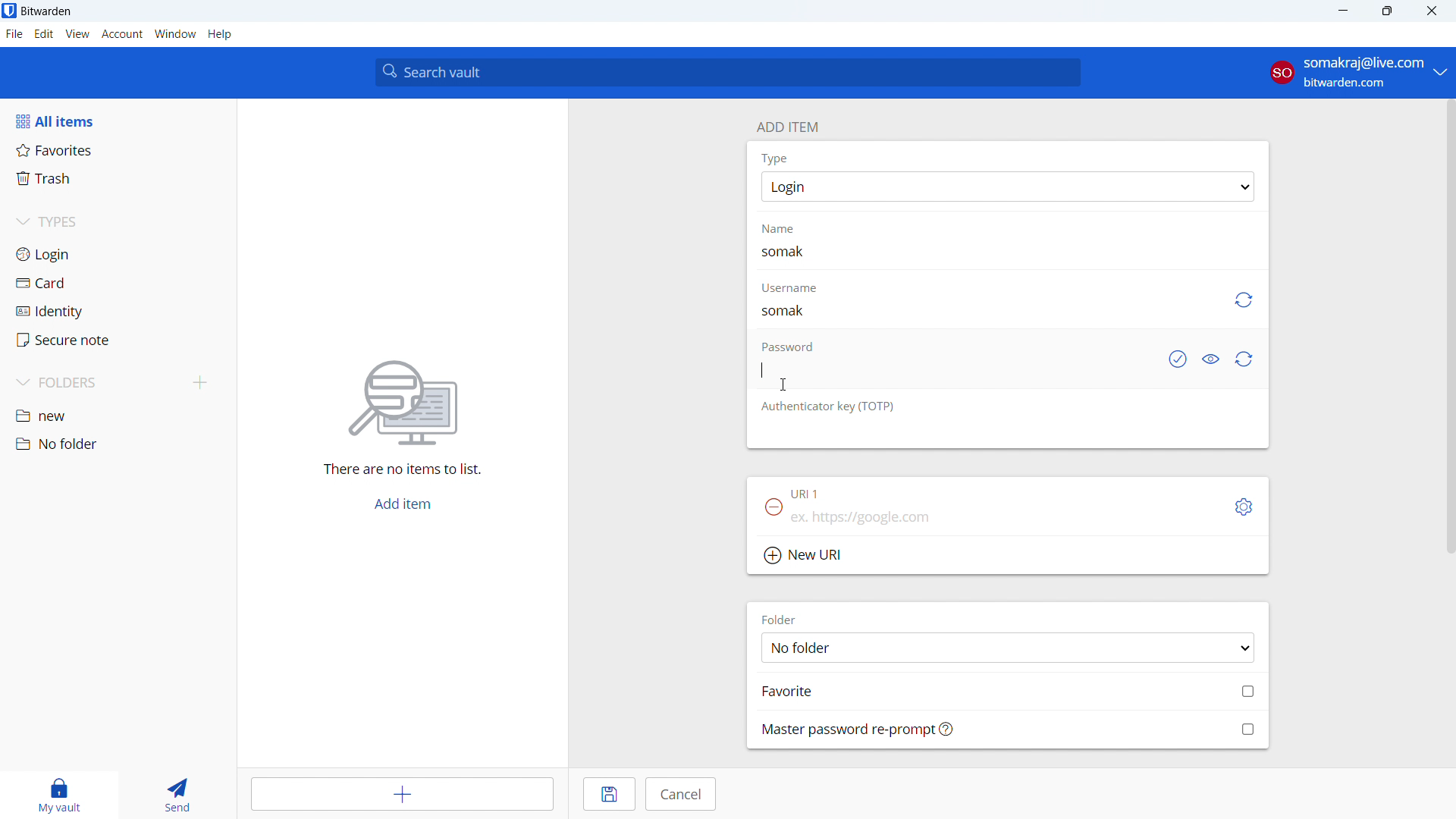  Describe the element at coordinates (117, 224) in the screenshot. I see `types` at that location.